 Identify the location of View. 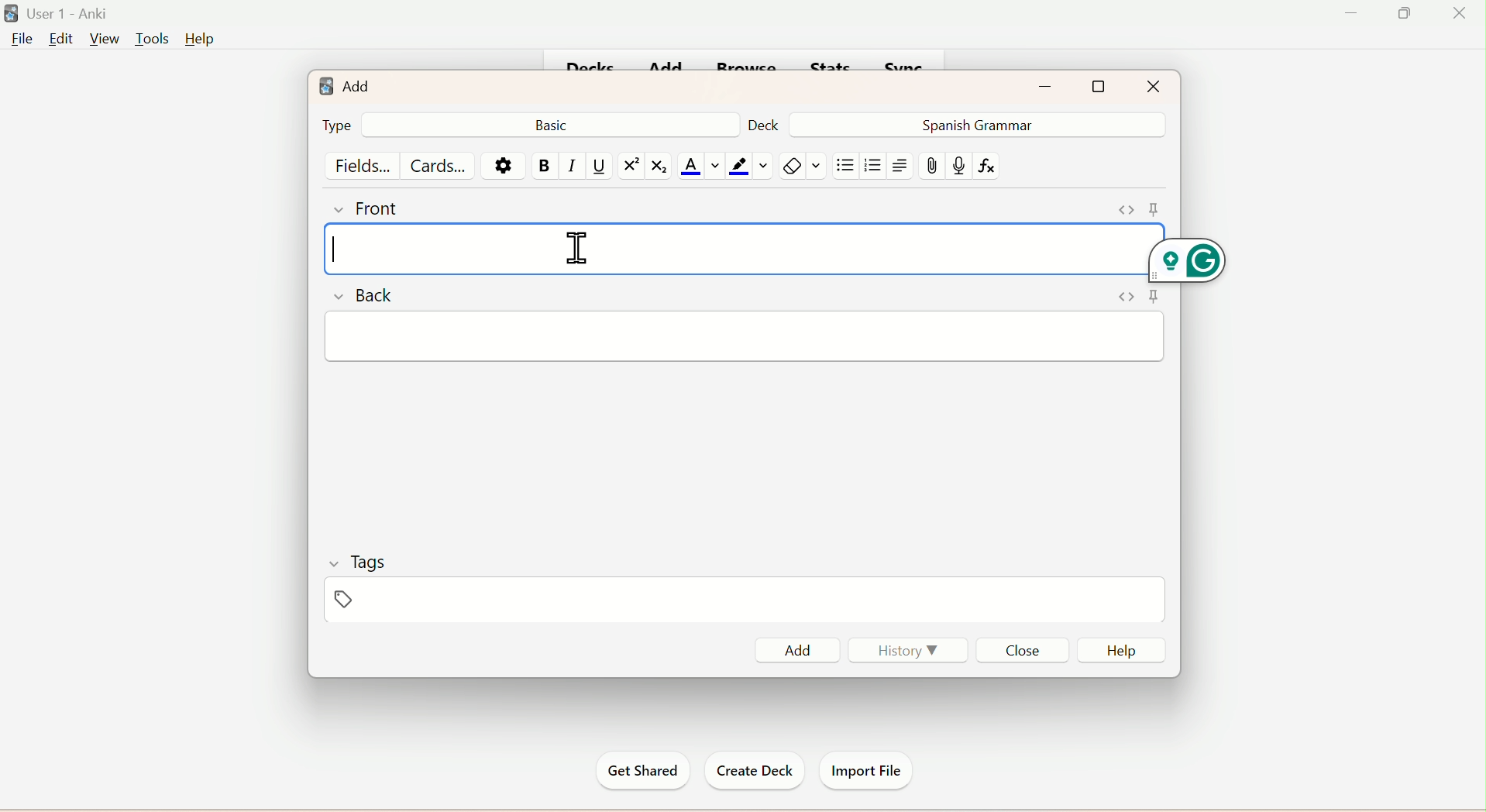
(102, 39).